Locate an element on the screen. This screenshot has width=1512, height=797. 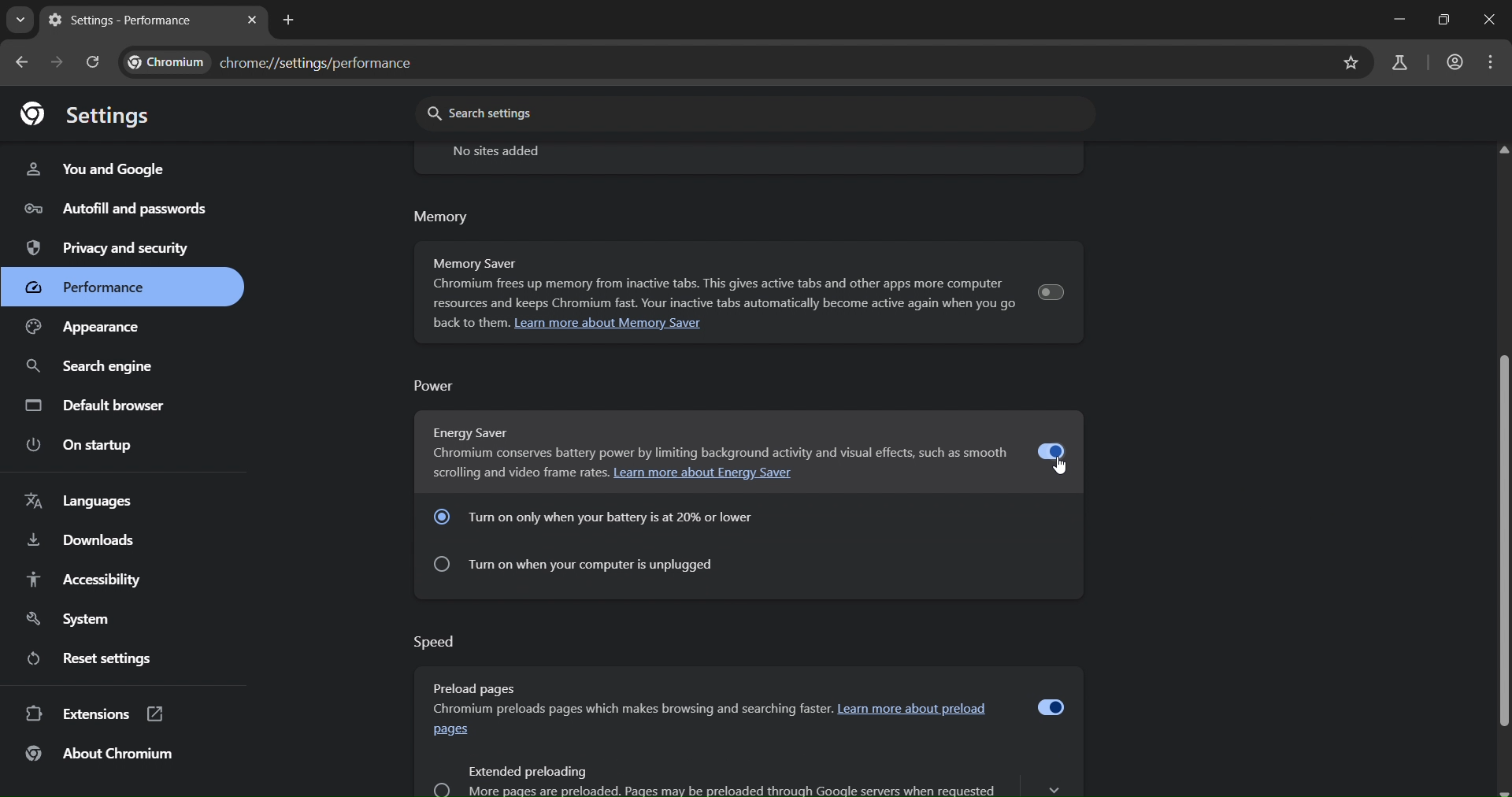
pages is located at coordinates (453, 731).